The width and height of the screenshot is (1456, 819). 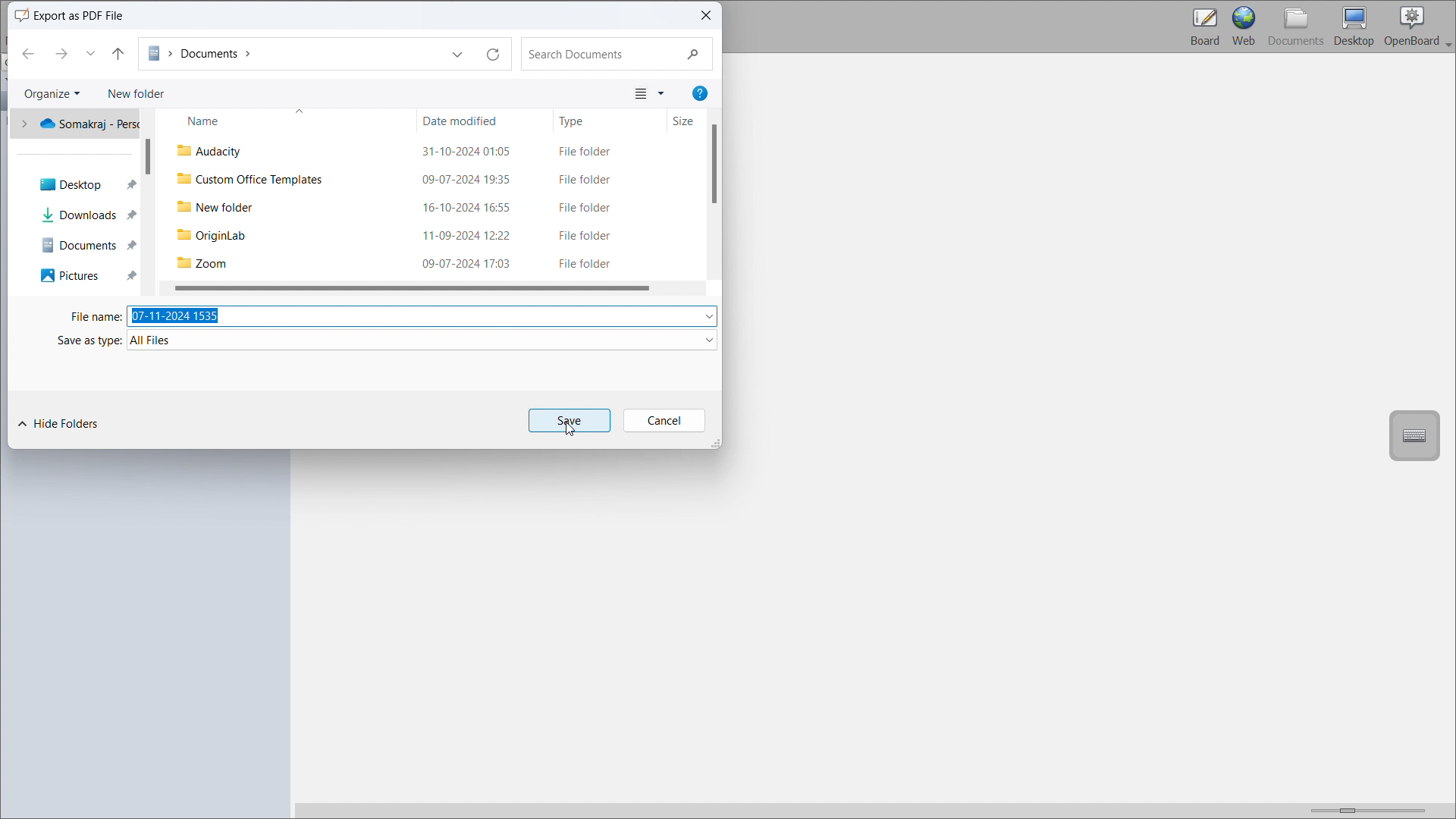 I want to click on web, so click(x=1244, y=27).